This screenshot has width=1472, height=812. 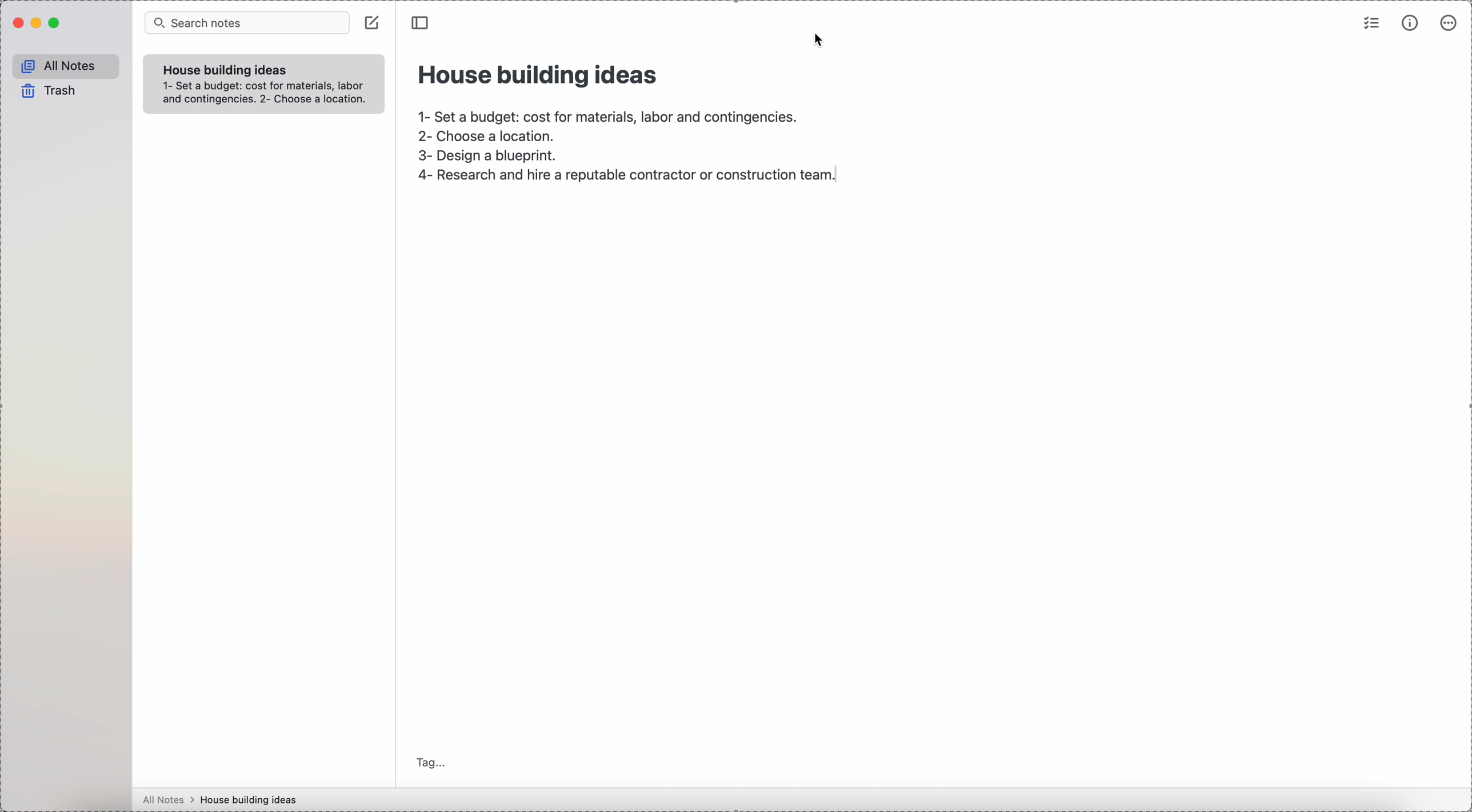 I want to click on house building ideas, so click(x=252, y=799).